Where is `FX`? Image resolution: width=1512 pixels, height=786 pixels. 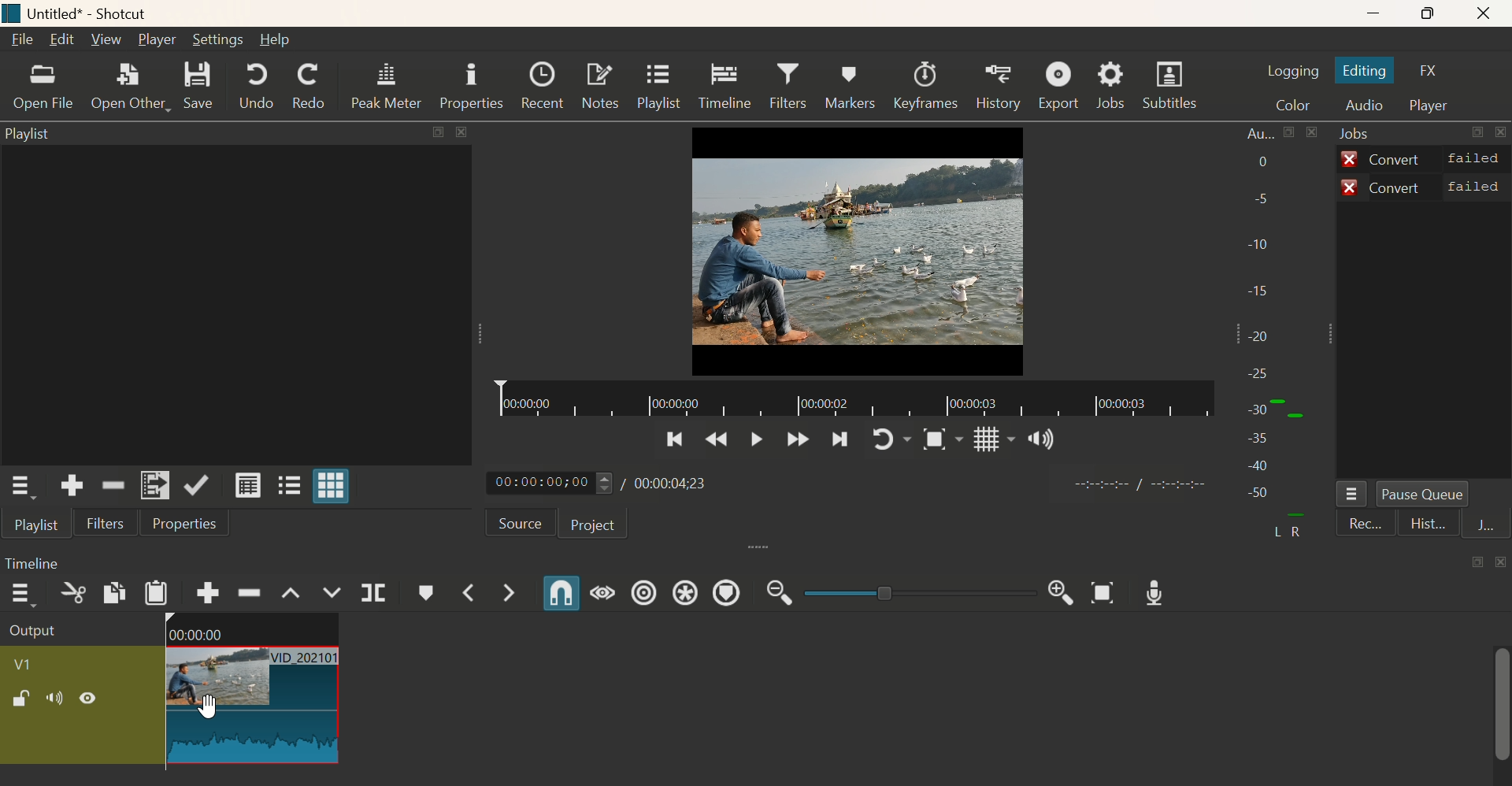
FX is located at coordinates (1434, 71).